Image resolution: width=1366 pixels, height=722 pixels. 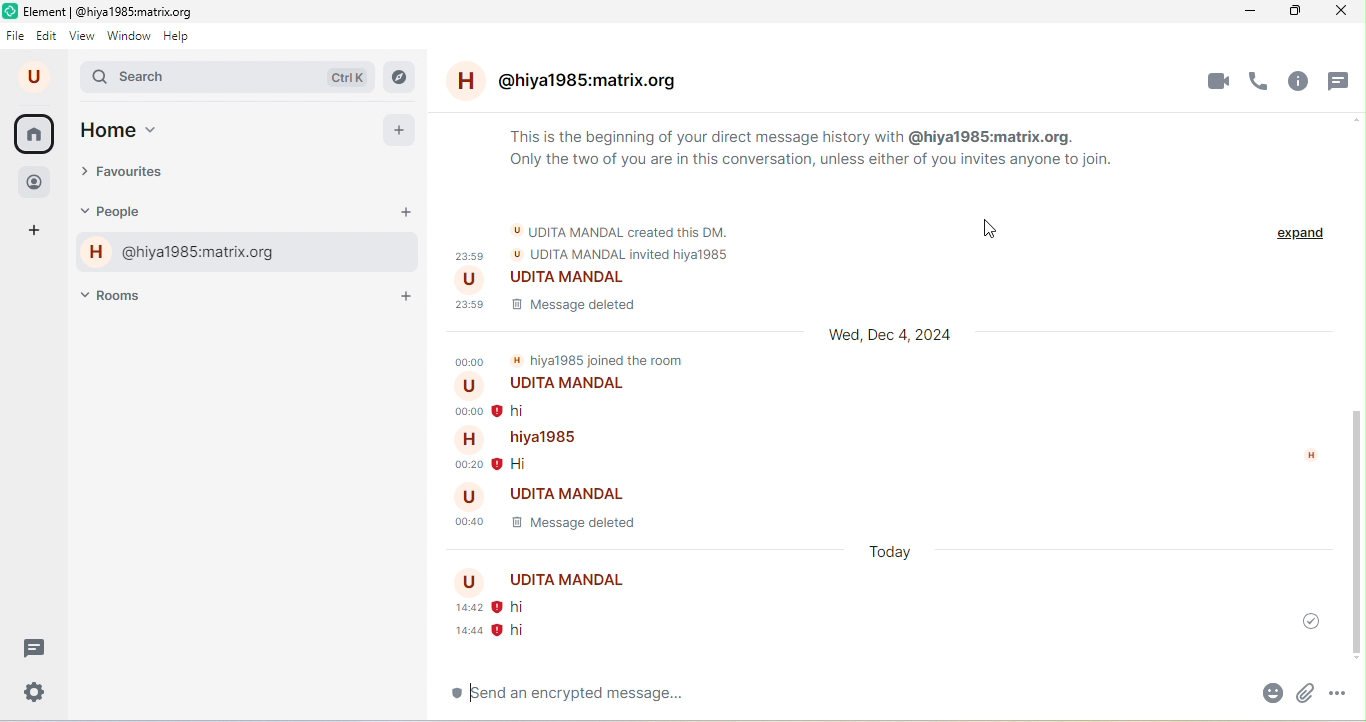 I want to click on udita mandal, so click(x=544, y=582).